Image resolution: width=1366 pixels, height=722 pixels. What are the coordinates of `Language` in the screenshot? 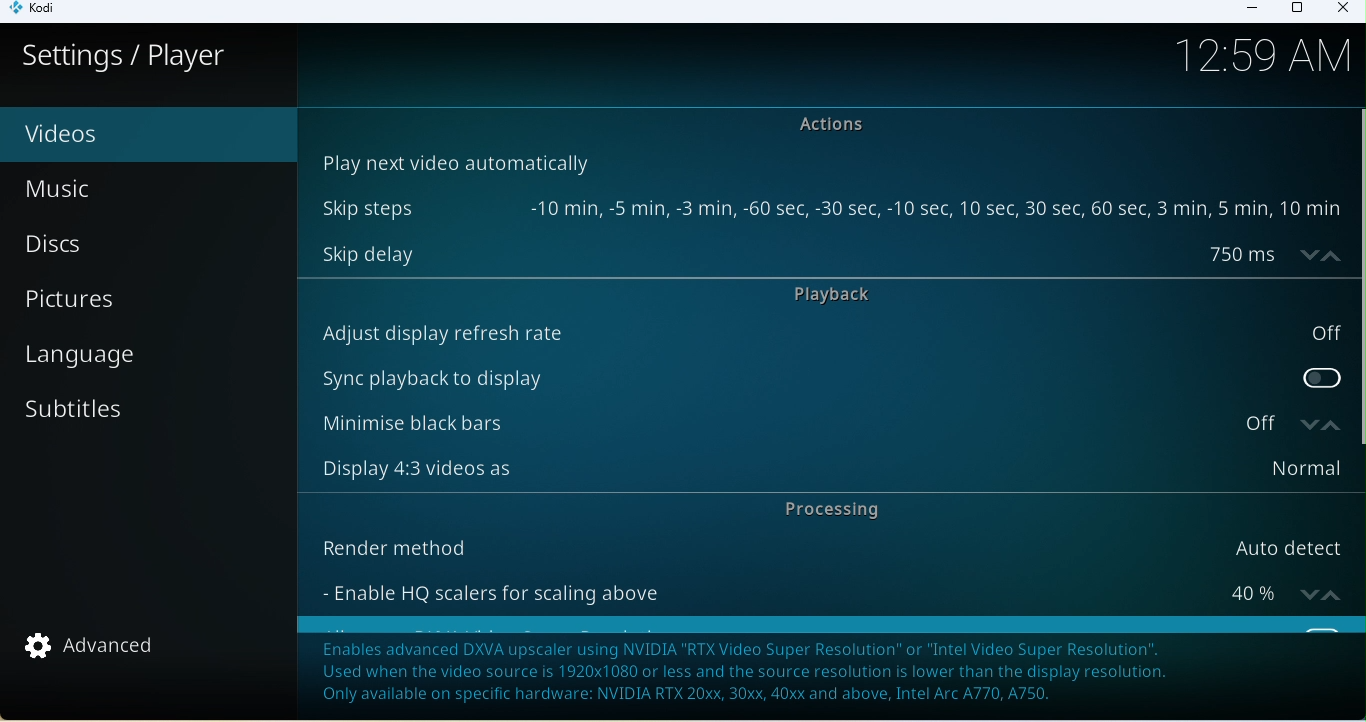 It's located at (145, 364).